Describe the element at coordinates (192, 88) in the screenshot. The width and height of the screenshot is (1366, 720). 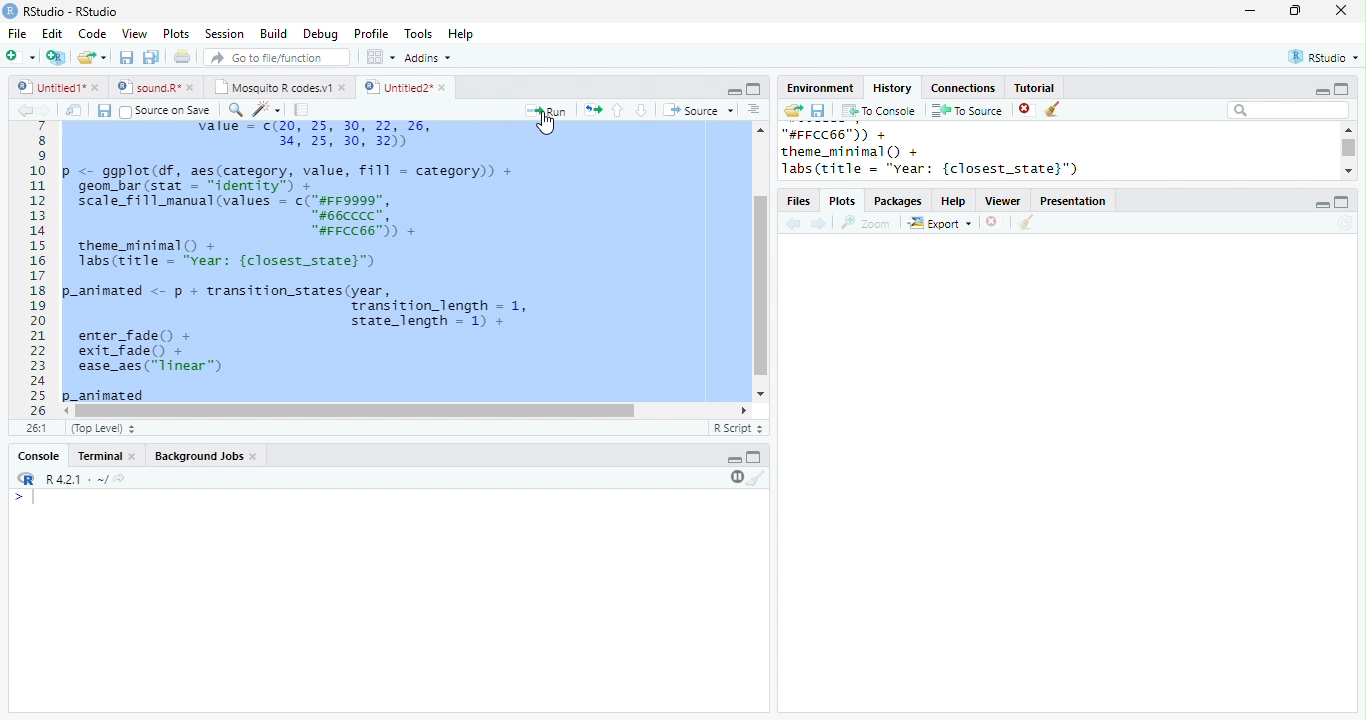
I see `close` at that location.